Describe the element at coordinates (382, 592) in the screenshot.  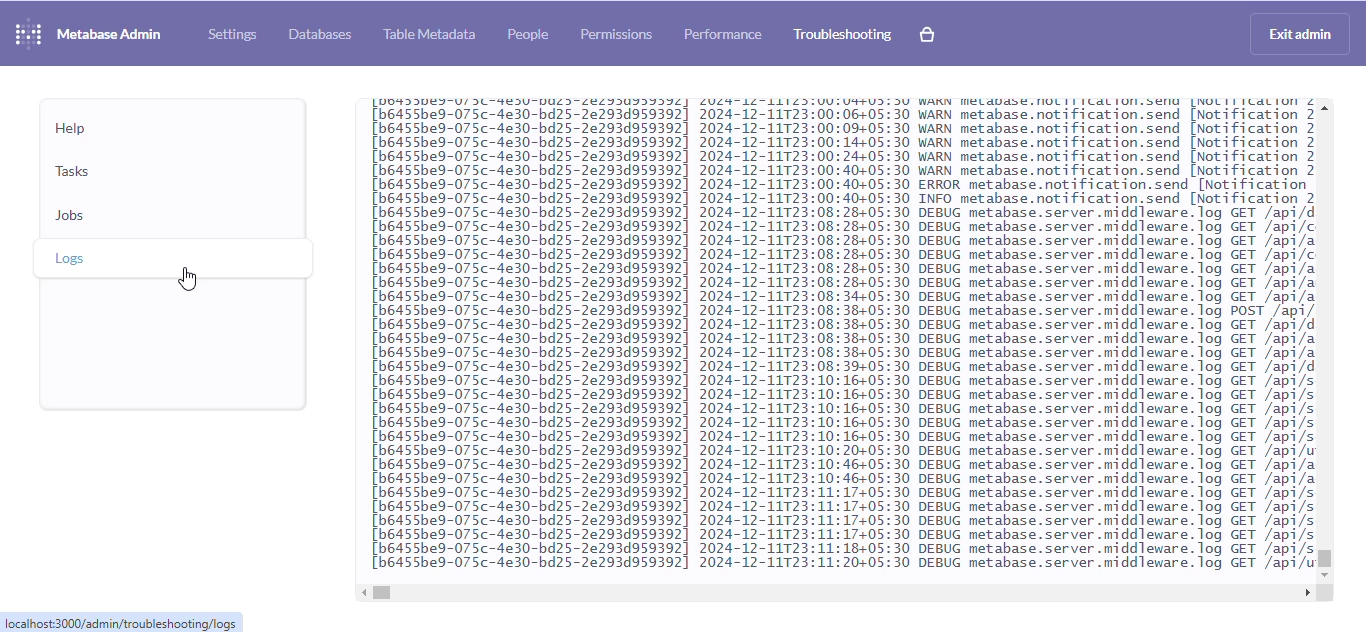
I see `horizontal scroll bar` at that location.